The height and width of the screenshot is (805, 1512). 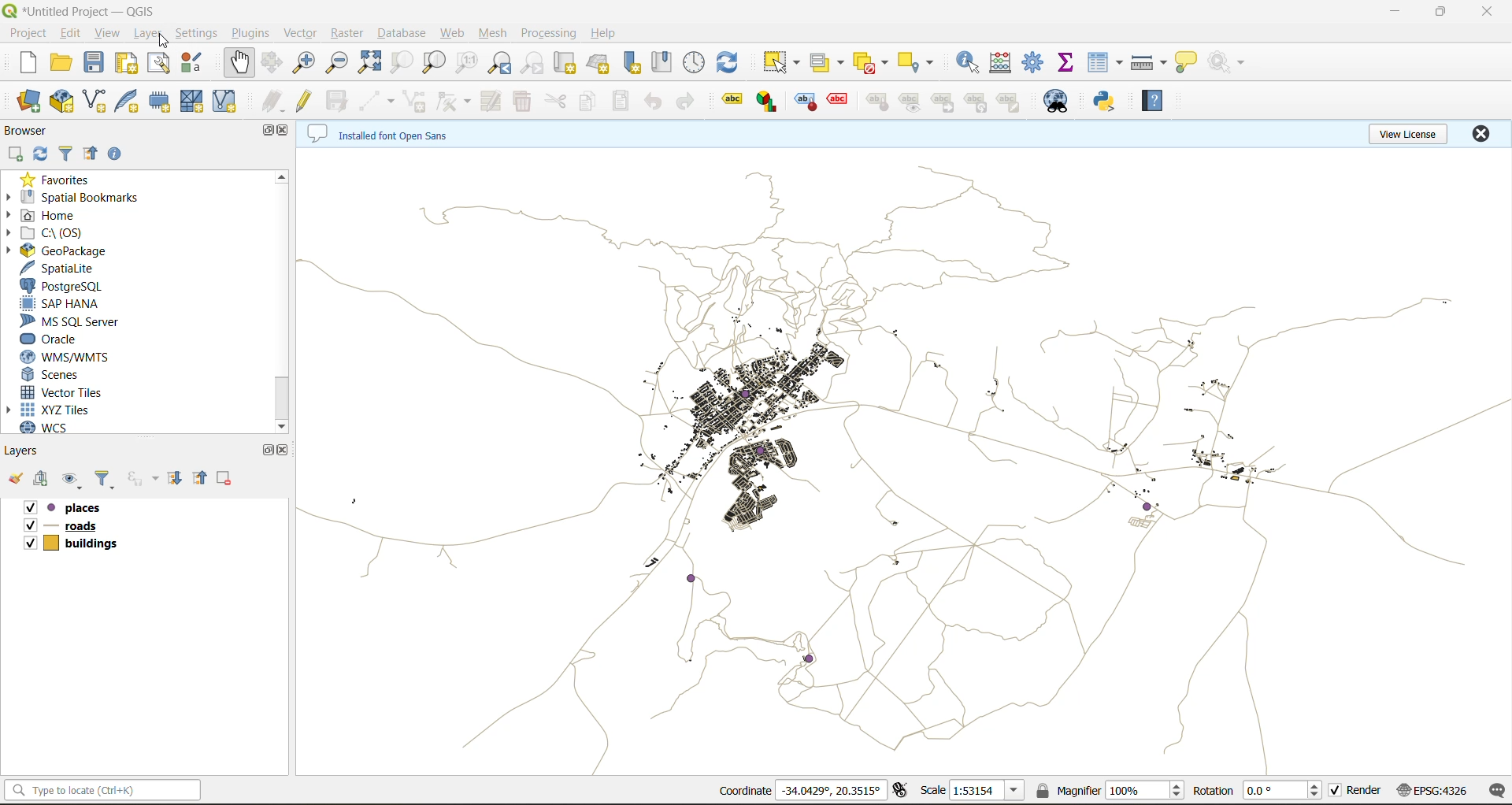 What do you see at coordinates (371, 65) in the screenshot?
I see `zoom full` at bounding box center [371, 65].